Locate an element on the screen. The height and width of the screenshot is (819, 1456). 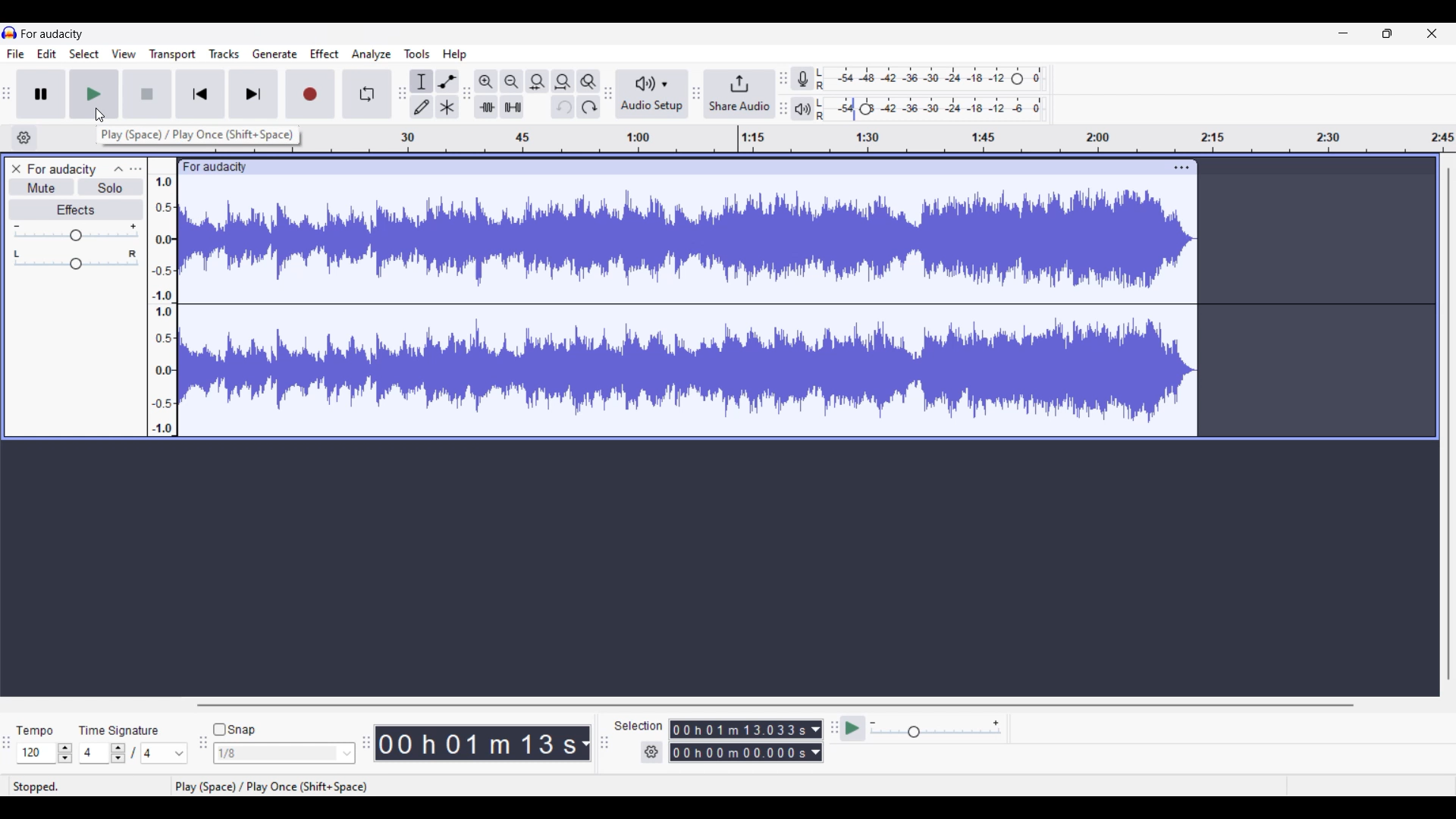
Show in smaller tab is located at coordinates (1387, 33).